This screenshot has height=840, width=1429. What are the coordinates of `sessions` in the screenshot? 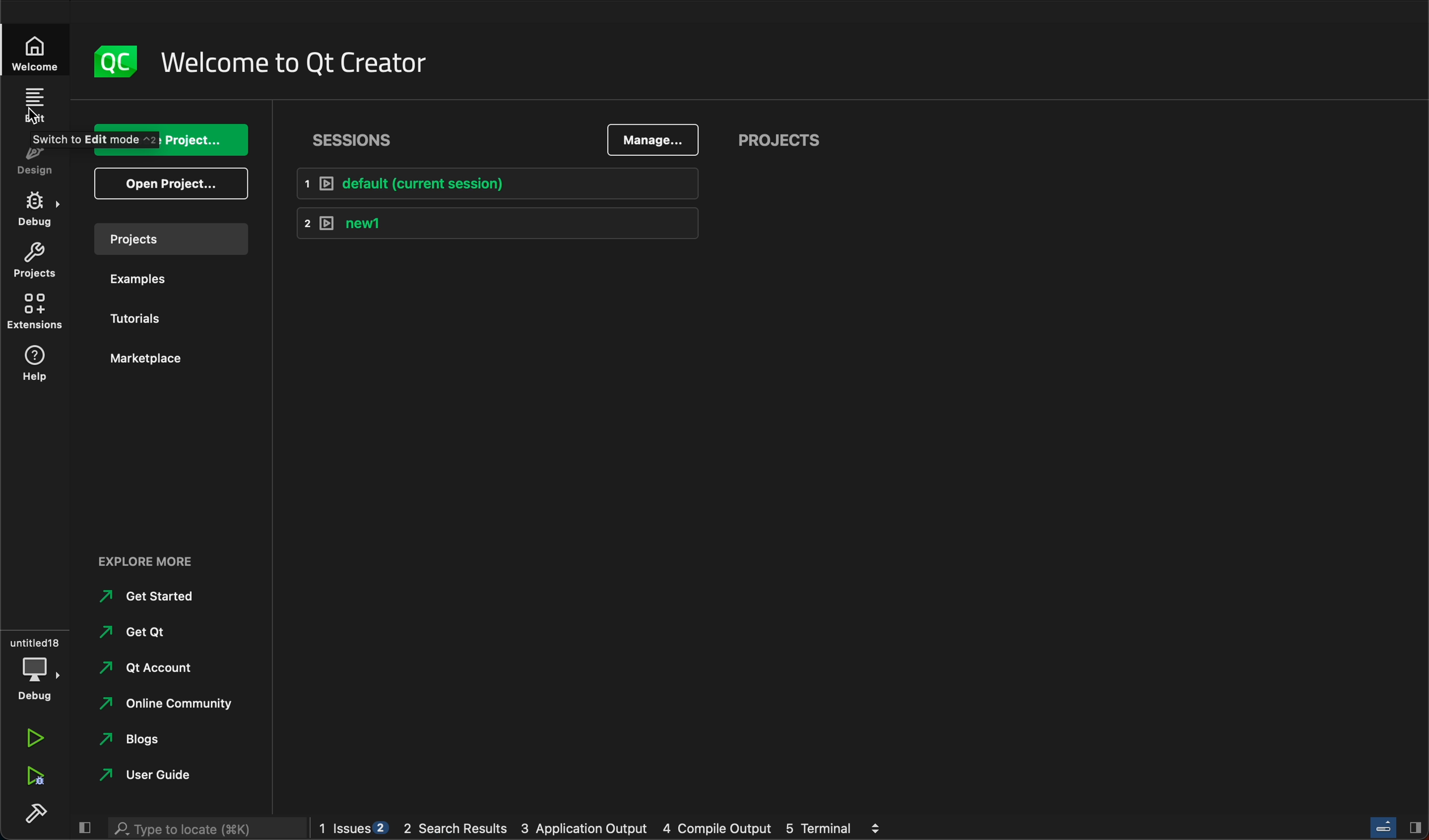 It's located at (356, 140).